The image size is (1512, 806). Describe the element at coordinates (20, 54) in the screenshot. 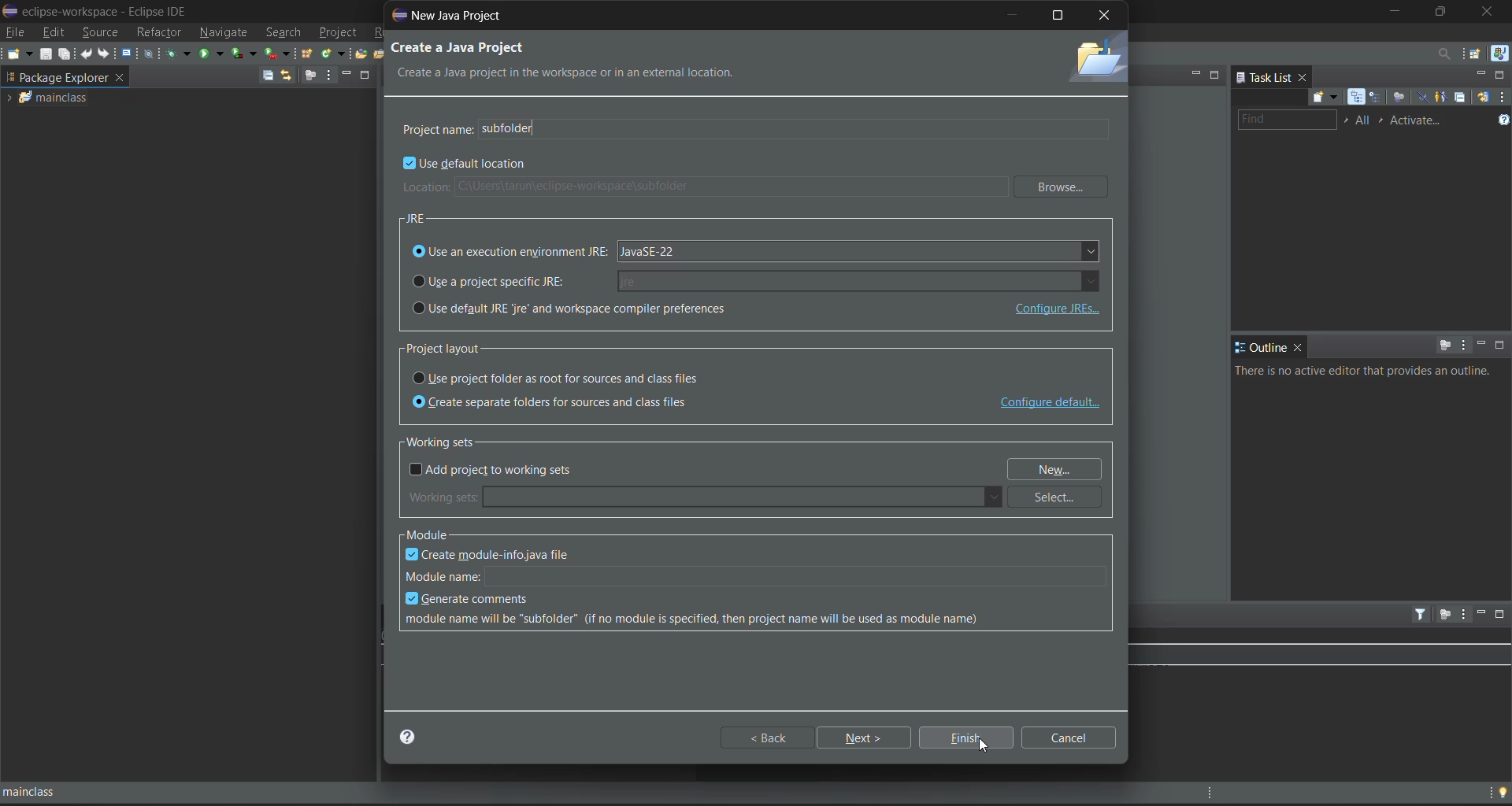

I see `new` at that location.